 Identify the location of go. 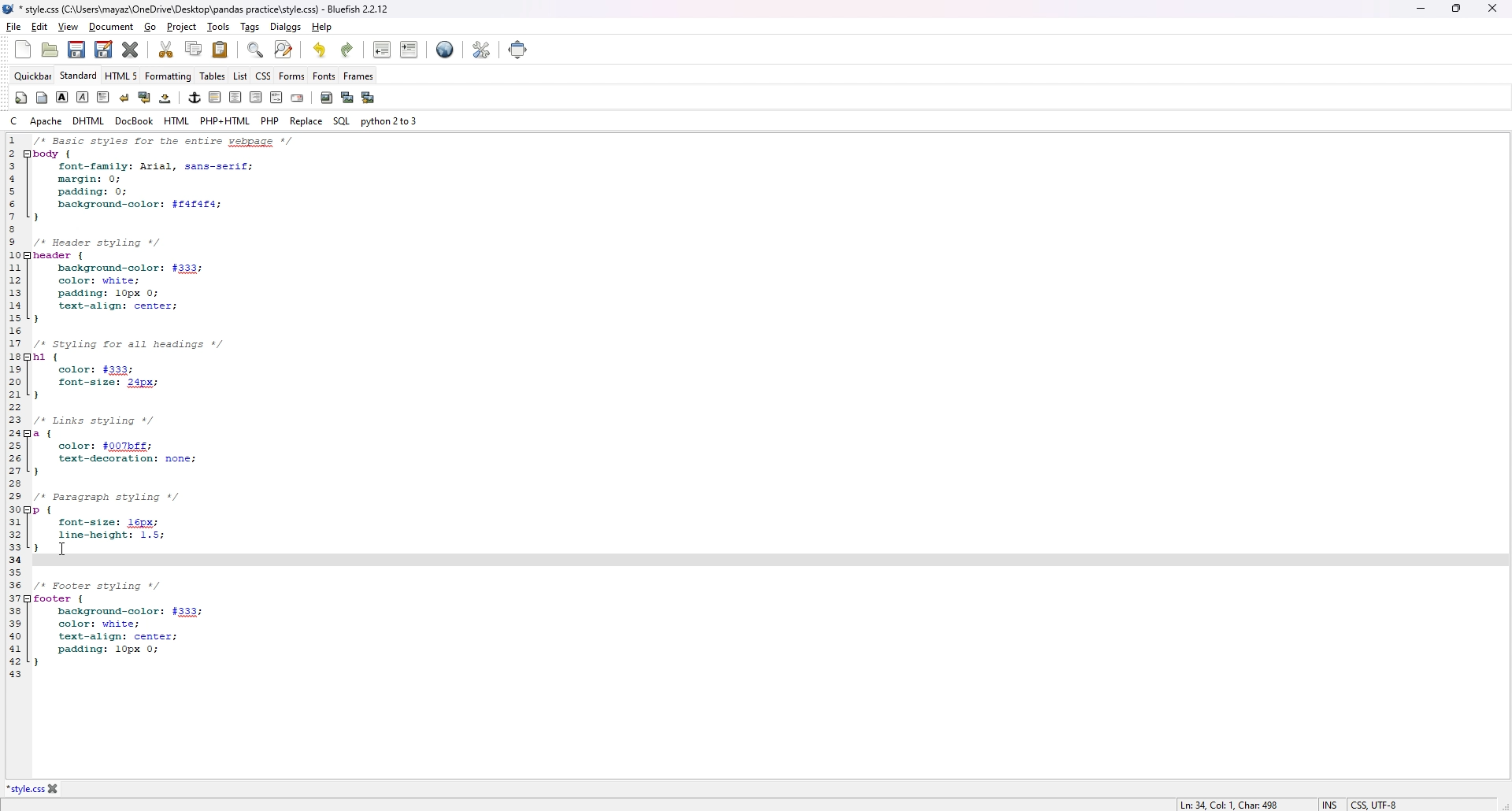
(150, 27).